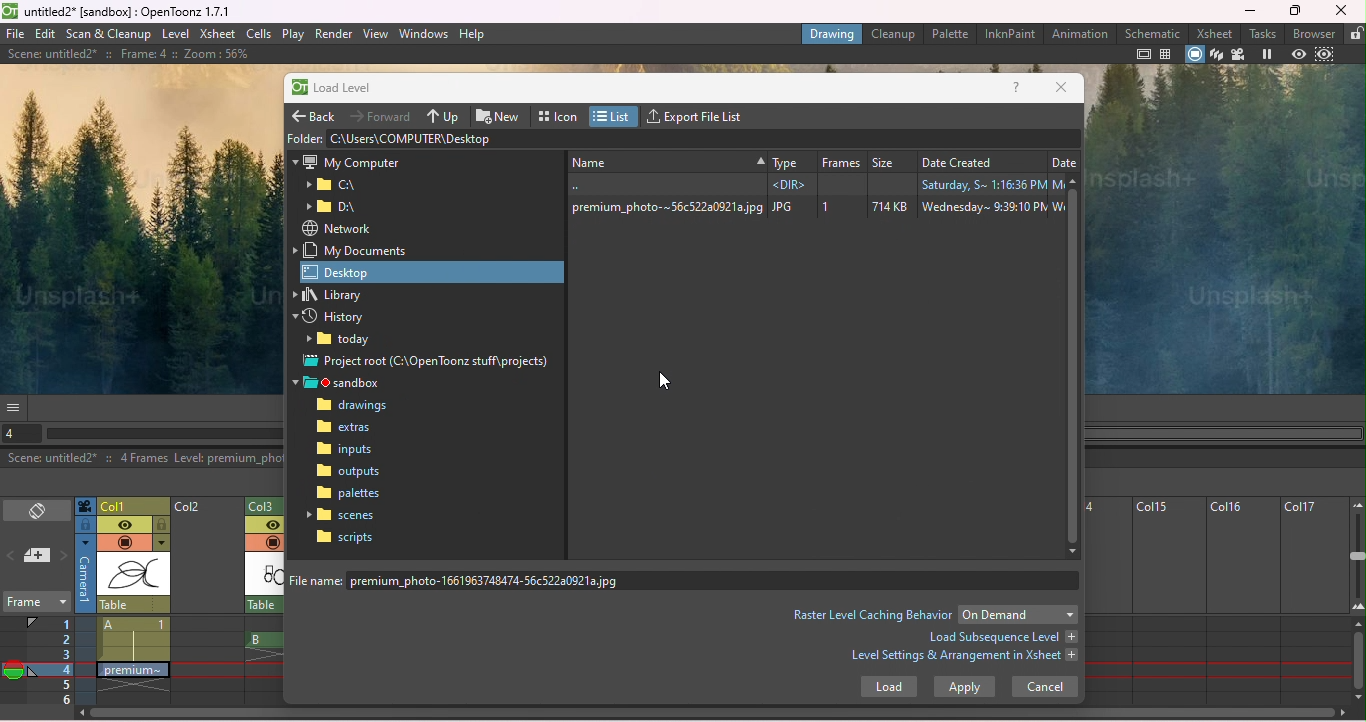  I want to click on 3D view, so click(1217, 55).